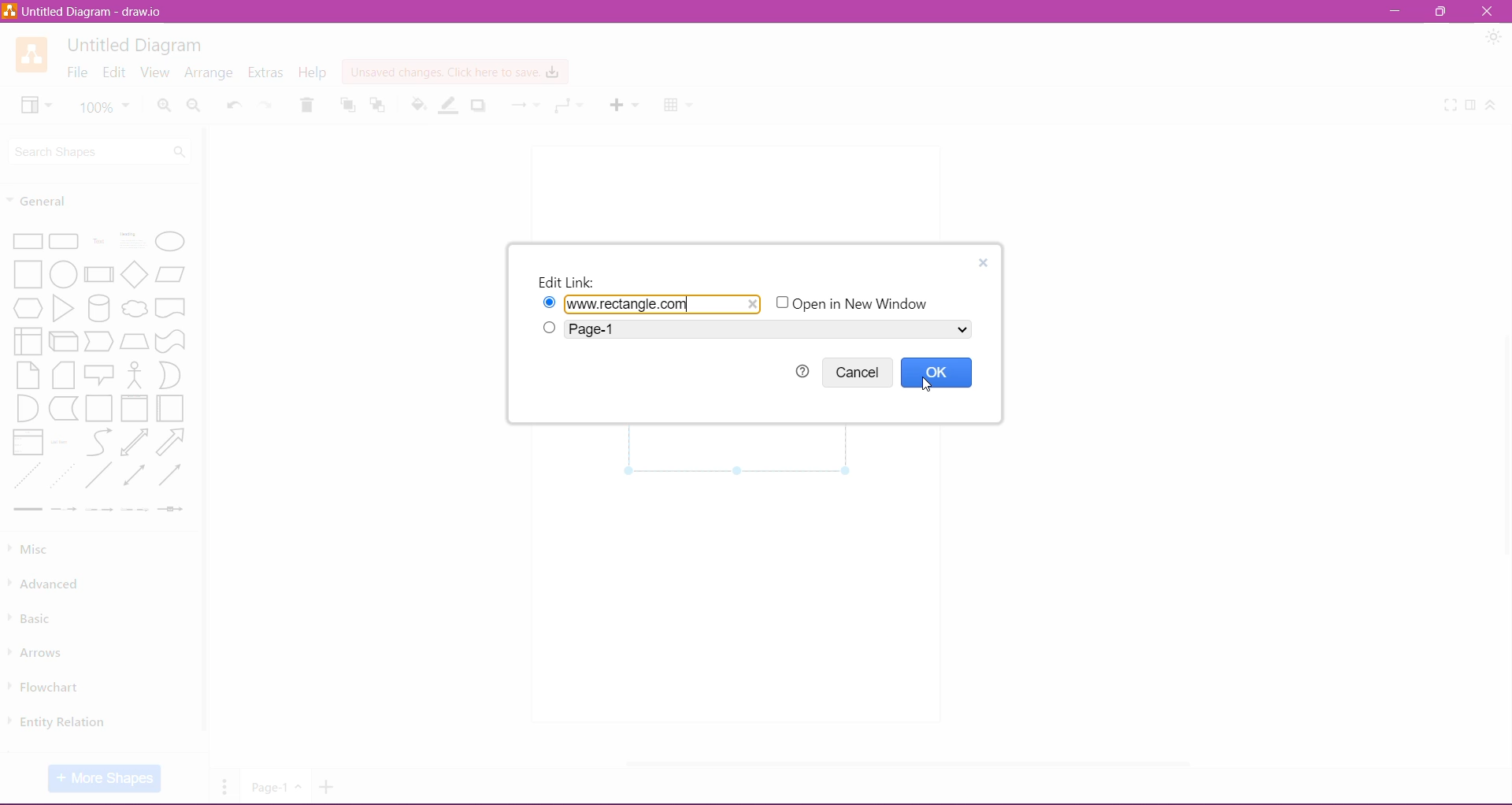  I want to click on Arrange, so click(209, 73).